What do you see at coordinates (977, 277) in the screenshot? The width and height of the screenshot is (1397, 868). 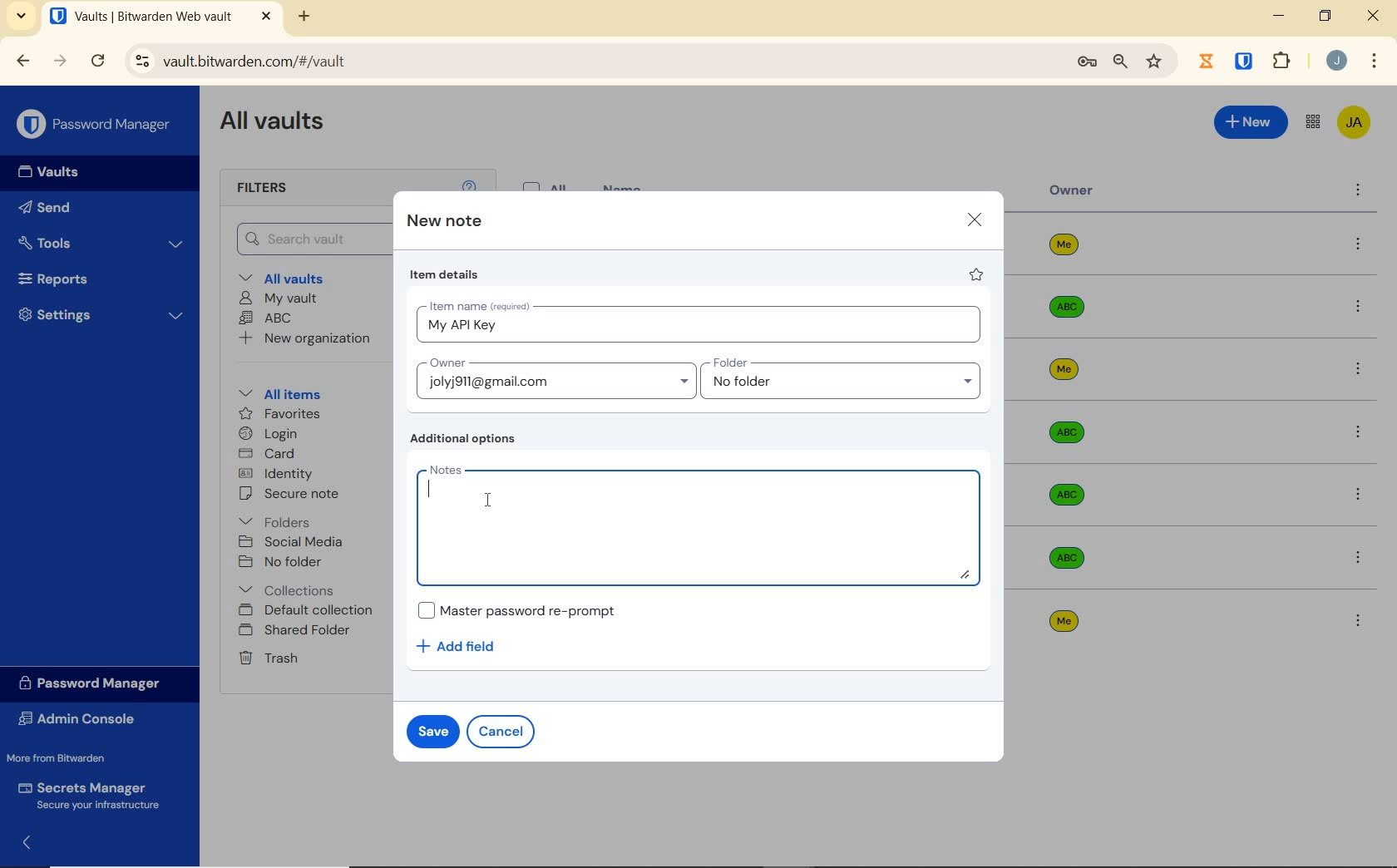 I see `favorite` at bounding box center [977, 277].